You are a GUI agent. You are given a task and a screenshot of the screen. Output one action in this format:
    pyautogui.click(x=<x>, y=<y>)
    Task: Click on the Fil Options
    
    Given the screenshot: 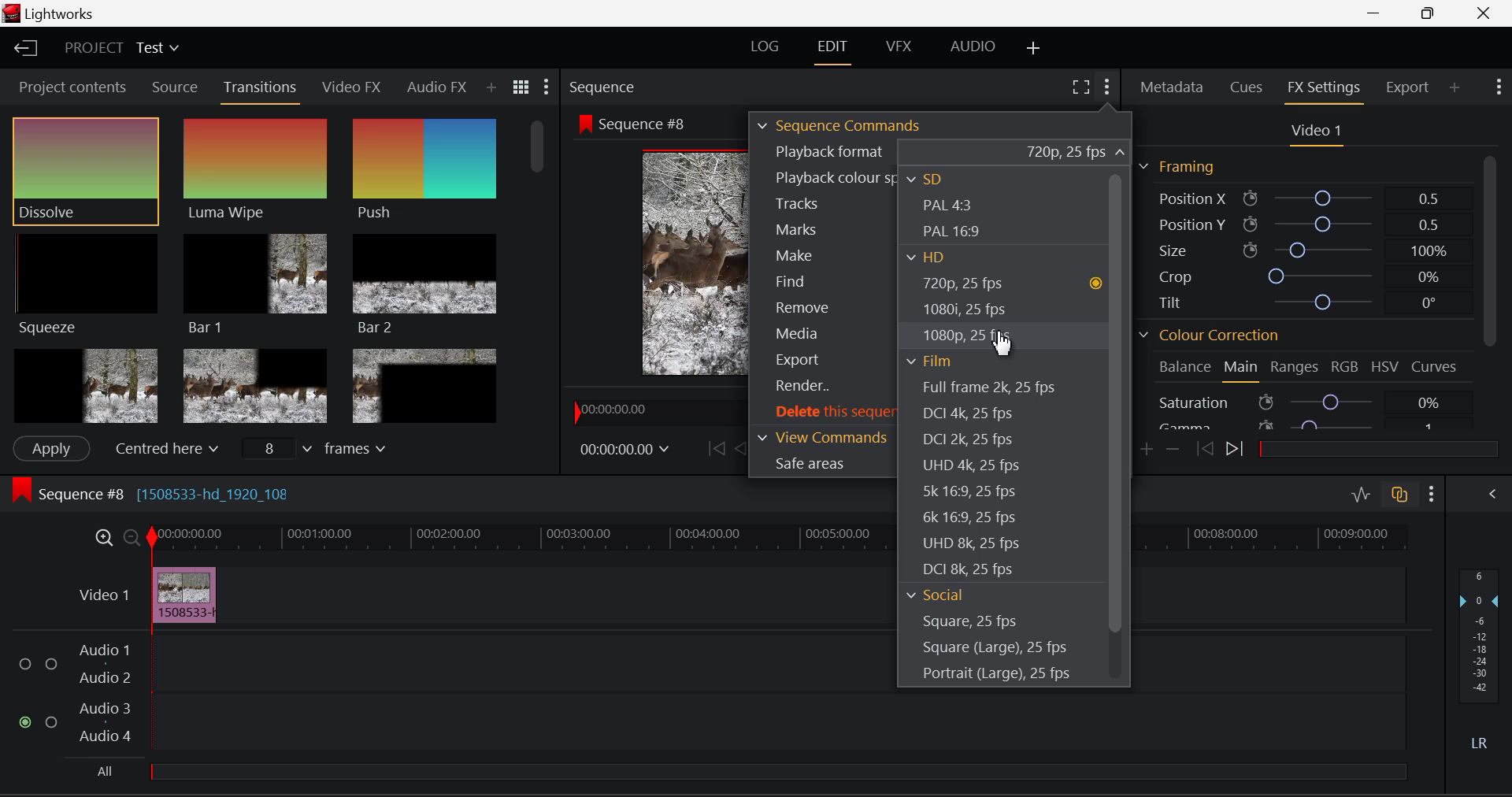 What is the action you would take?
    pyautogui.click(x=937, y=357)
    